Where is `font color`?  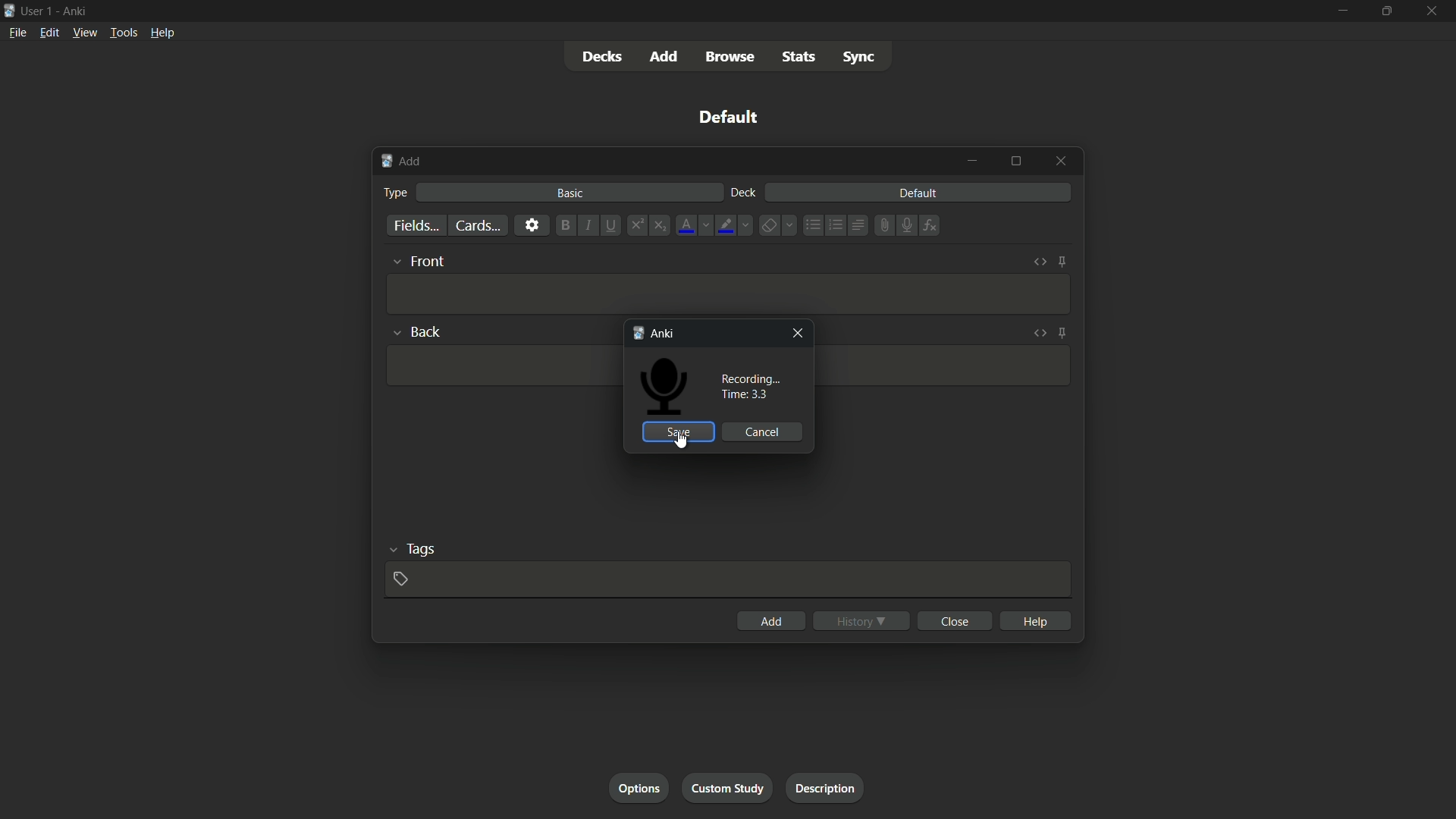
font color is located at coordinates (685, 225).